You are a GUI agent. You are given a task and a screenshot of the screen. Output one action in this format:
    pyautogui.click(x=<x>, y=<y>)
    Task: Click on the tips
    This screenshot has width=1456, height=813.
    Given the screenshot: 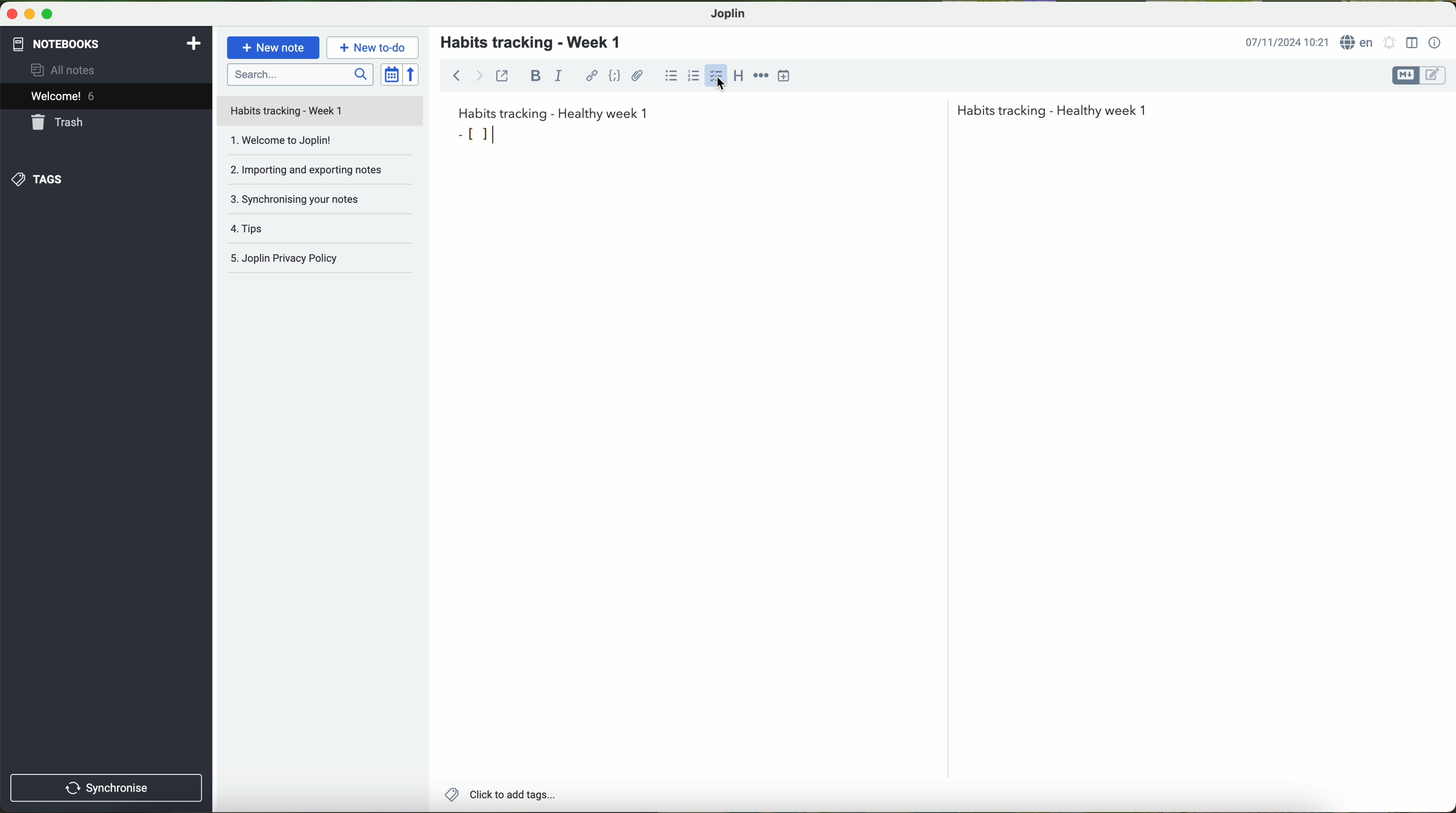 What is the action you would take?
    pyautogui.click(x=322, y=231)
    